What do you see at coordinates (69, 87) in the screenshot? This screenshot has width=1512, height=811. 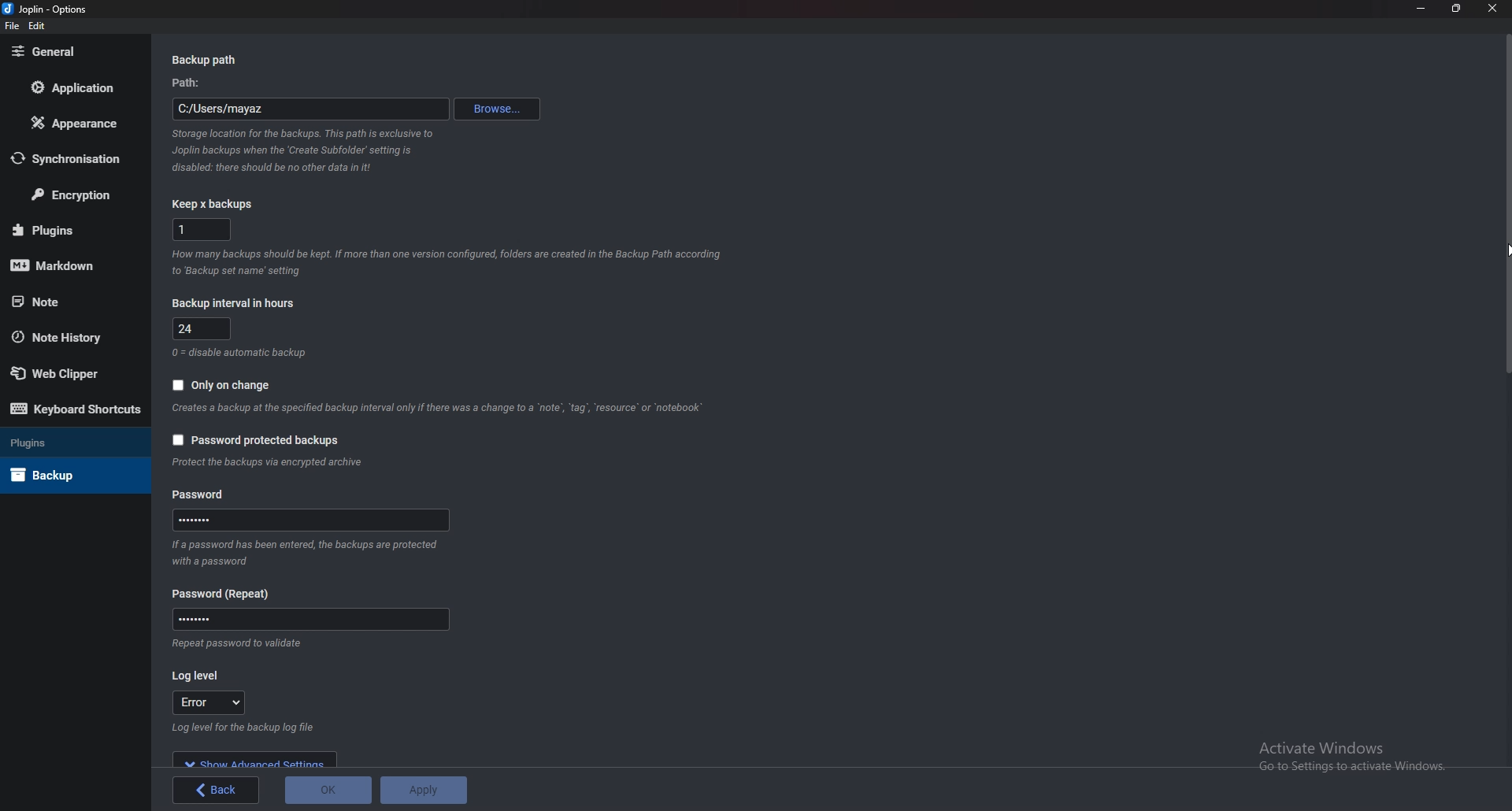 I see `Application` at bounding box center [69, 87].